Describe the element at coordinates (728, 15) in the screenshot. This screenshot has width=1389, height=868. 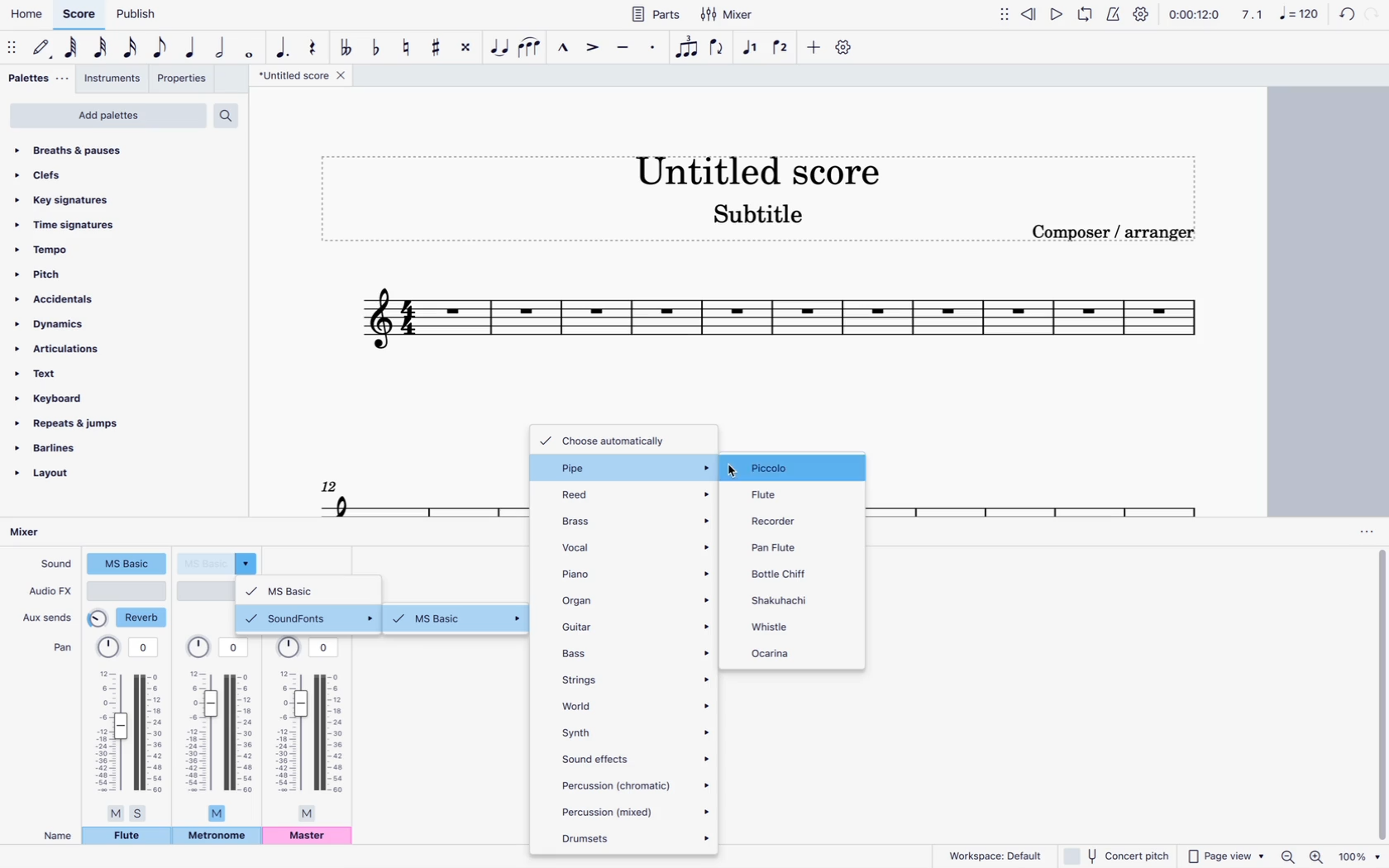
I see `mixer` at that location.